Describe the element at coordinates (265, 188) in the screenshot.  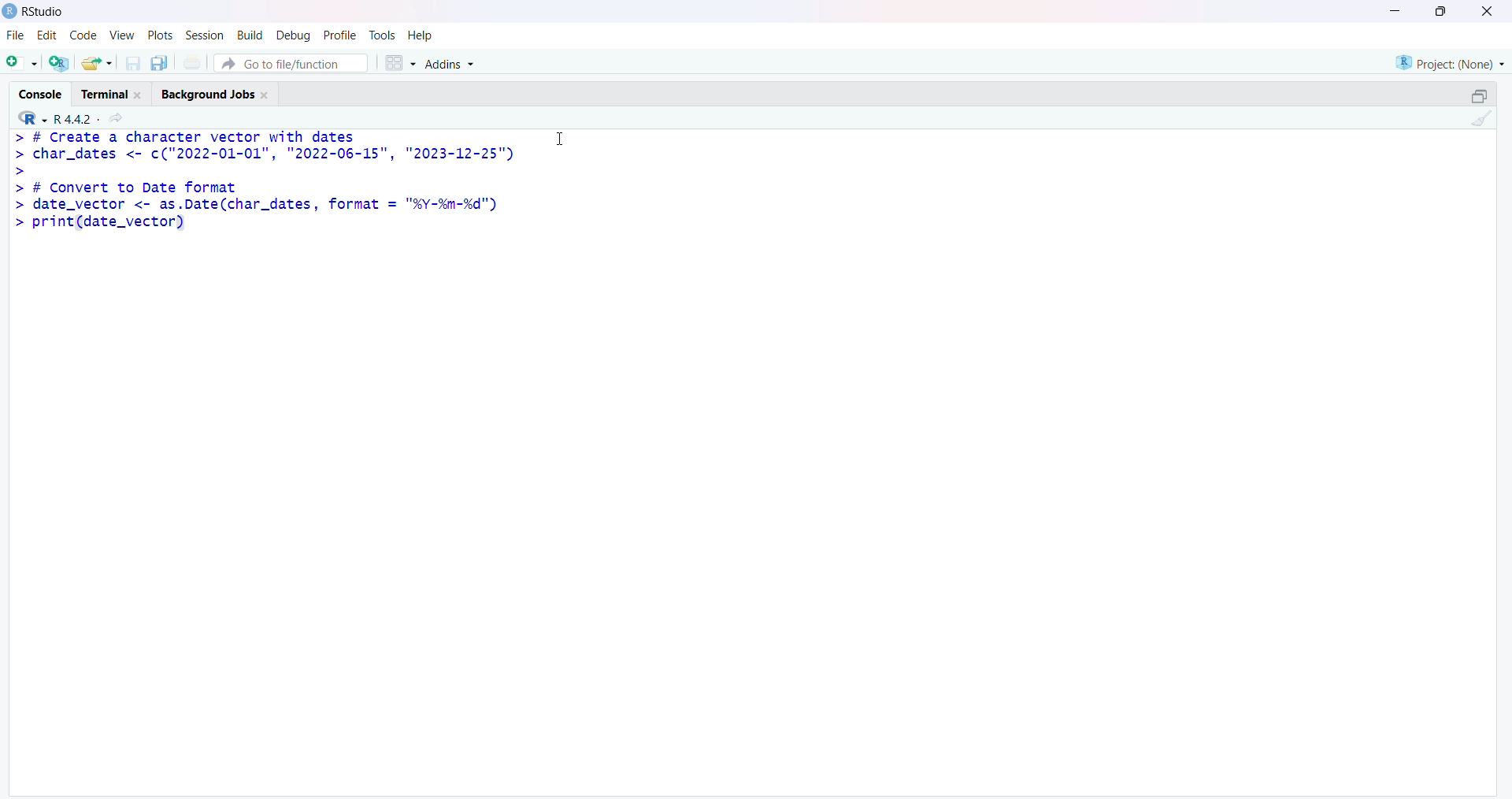
I see `> # Create a character vector with dates> char_dates <- ¢("2022-01-01", "2022-06-15", "2023-12-25")>> # Convert to Date format> date_vector <- as.Date(char_dates, format = "%Y-%m-%d")>|print {date_vector}` at that location.